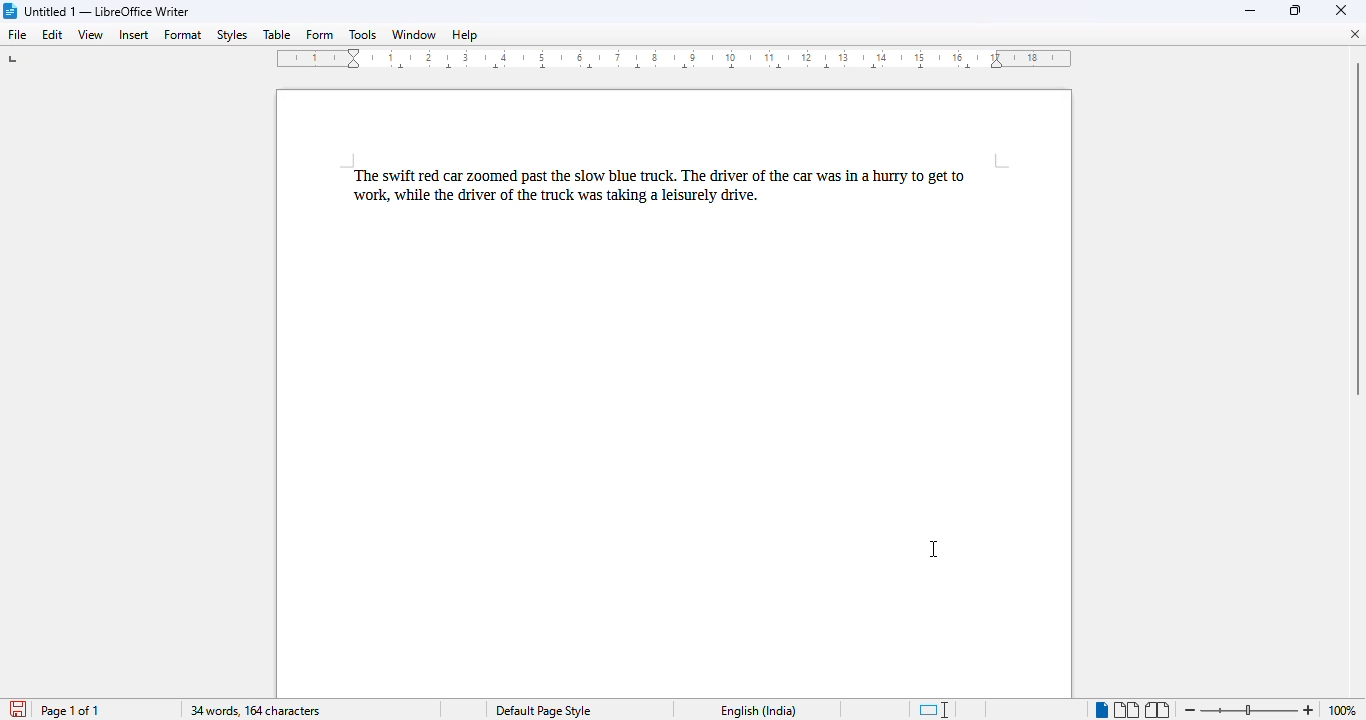 The height and width of the screenshot is (720, 1366). Describe the element at coordinates (16, 709) in the screenshot. I see `save document` at that location.